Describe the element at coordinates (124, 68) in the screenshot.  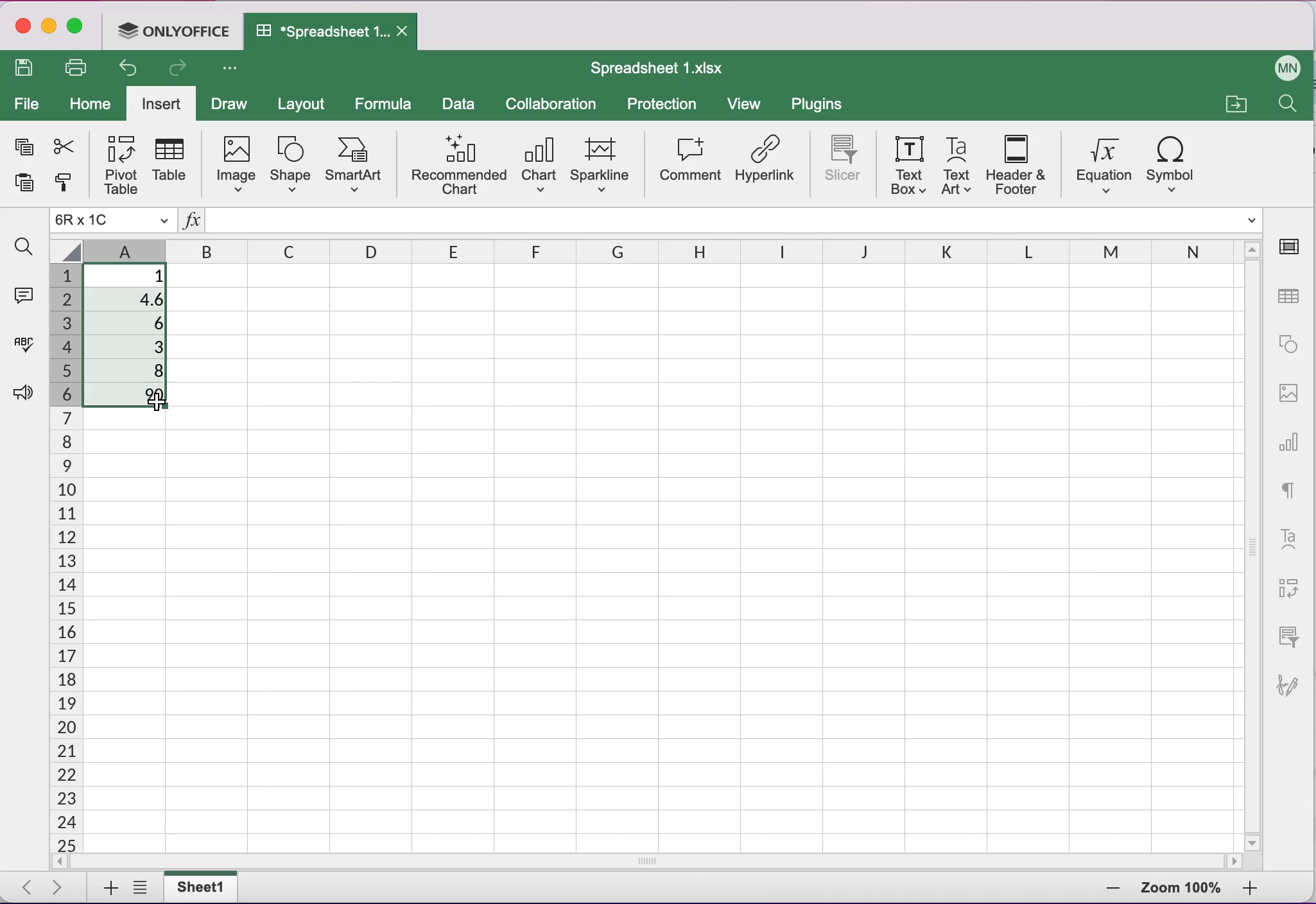
I see `undo` at that location.